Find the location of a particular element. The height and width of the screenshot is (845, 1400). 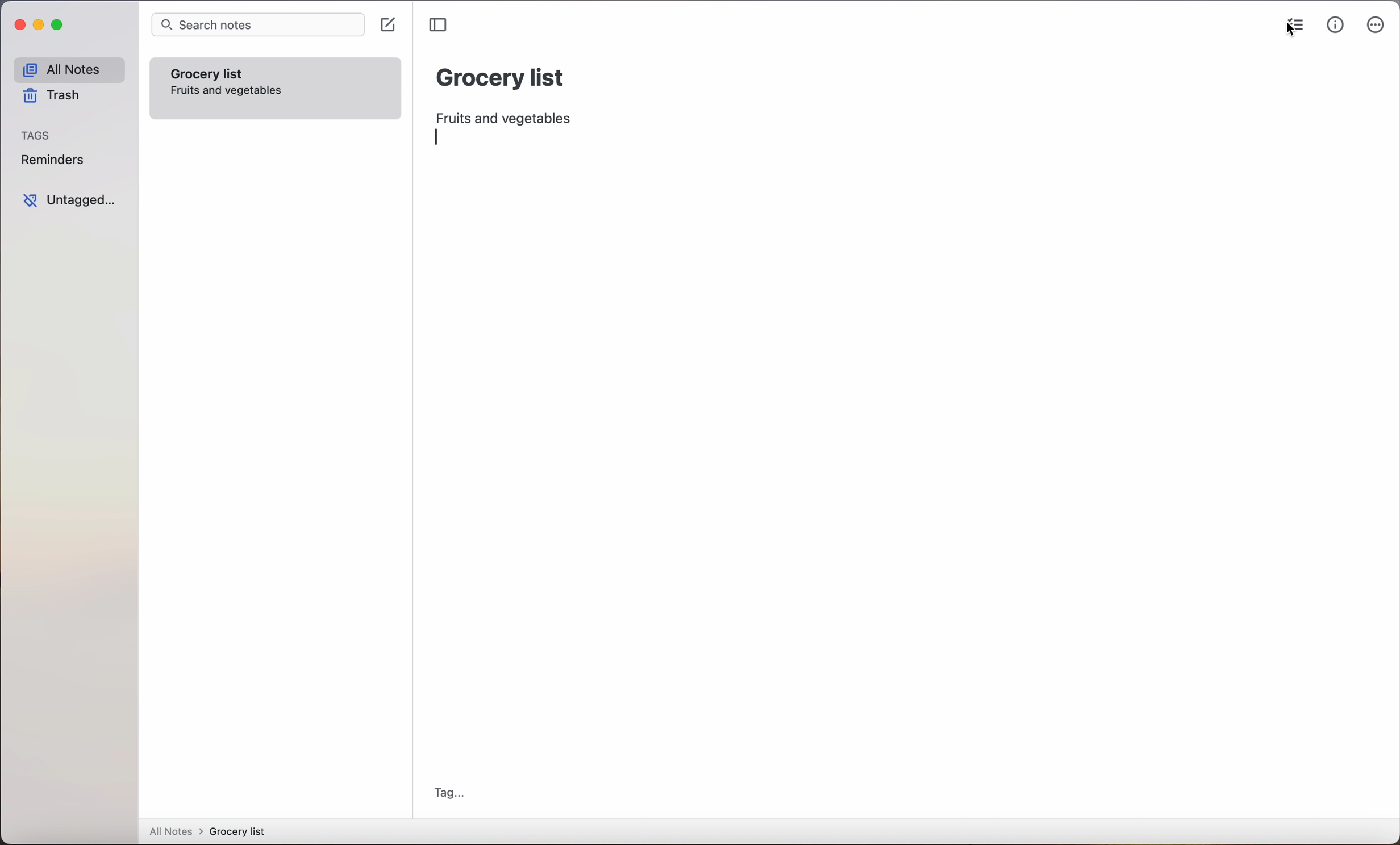

grocery list is located at coordinates (501, 76).